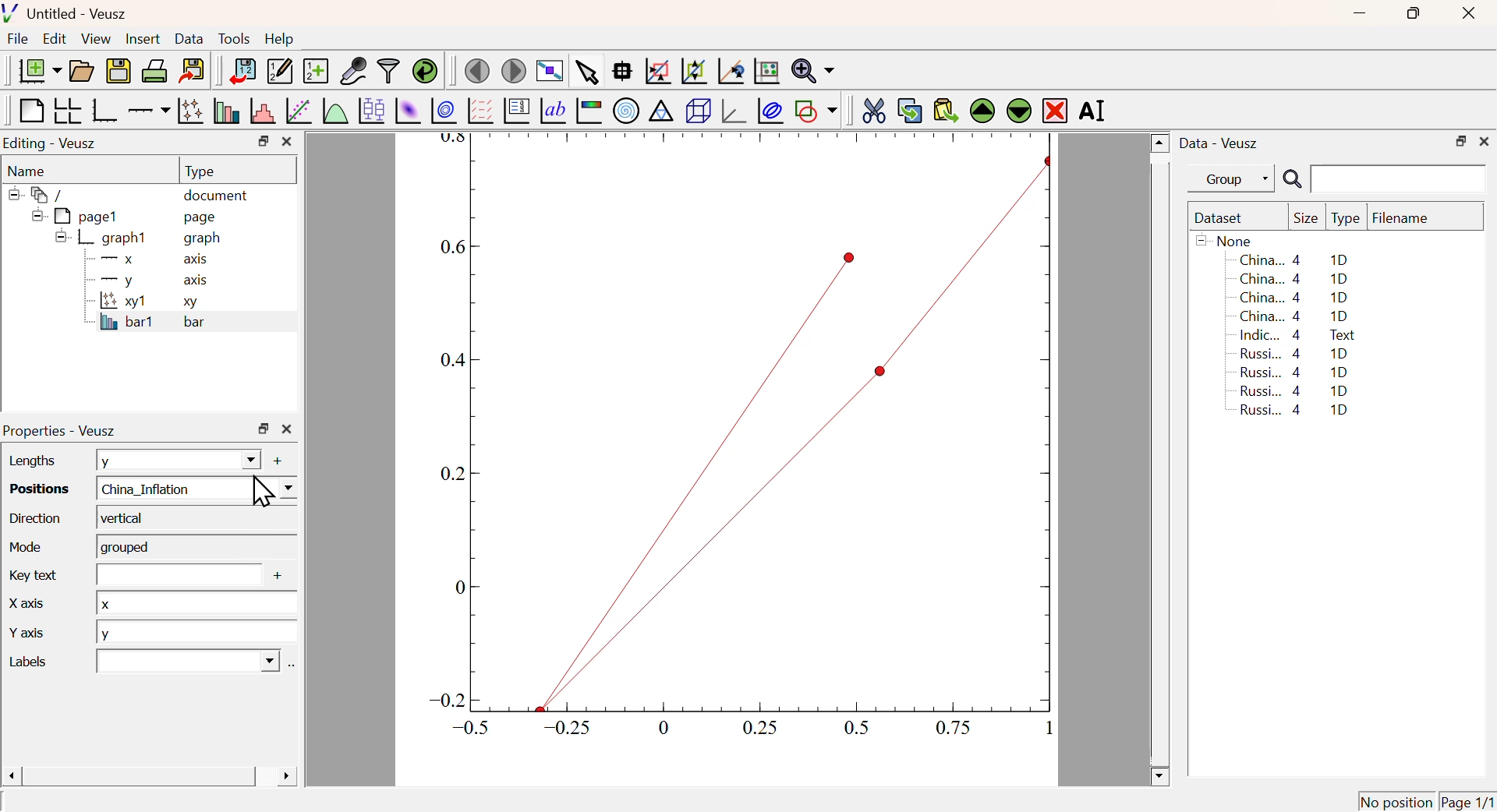  What do you see at coordinates (1222, 144) in the screenshot?
I see `Data - Veusz` at bounding box center [1222, 144].